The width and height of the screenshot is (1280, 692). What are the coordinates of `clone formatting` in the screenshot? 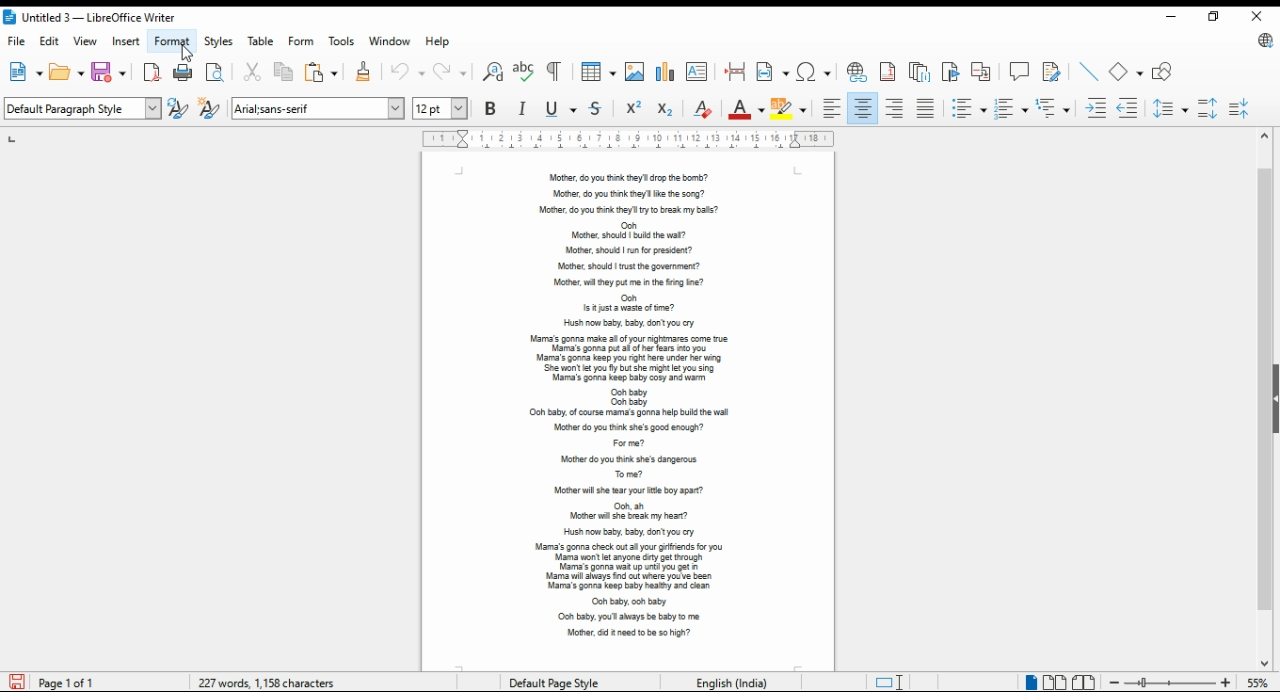 It's located at (364, 72).